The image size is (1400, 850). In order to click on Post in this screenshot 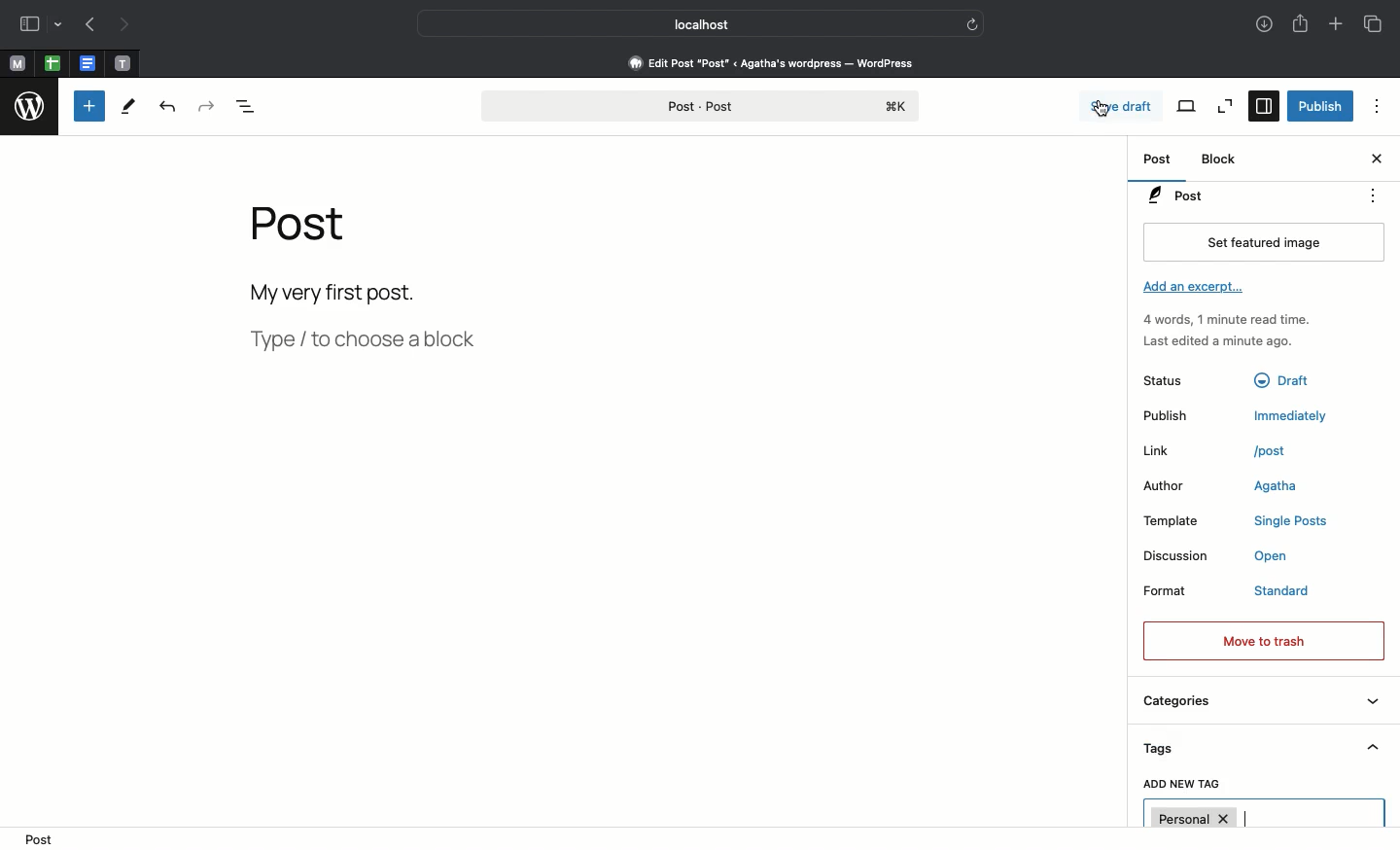, I will do `click(311, 230)`.